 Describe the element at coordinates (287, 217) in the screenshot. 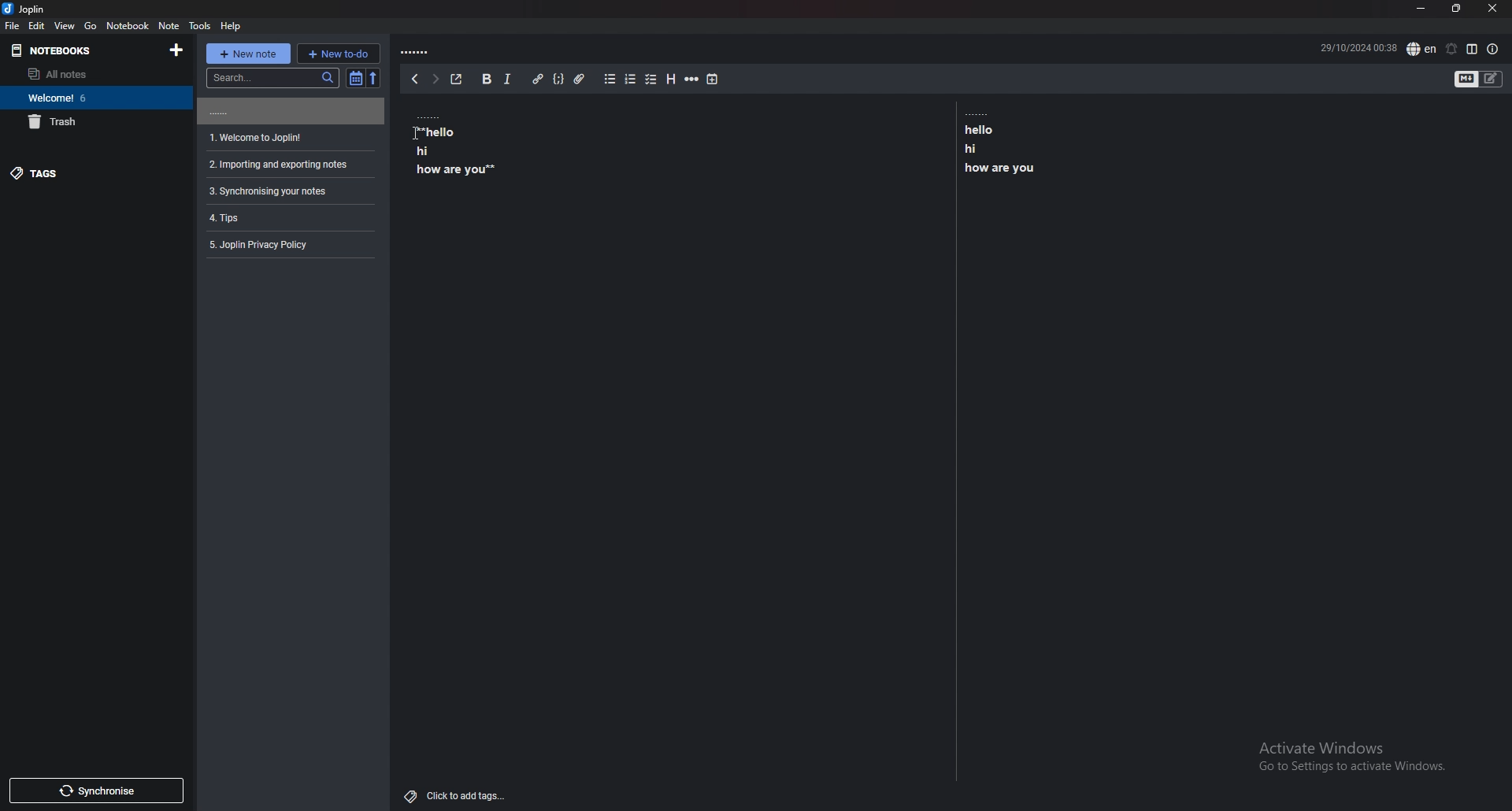

I see `note` at that location.